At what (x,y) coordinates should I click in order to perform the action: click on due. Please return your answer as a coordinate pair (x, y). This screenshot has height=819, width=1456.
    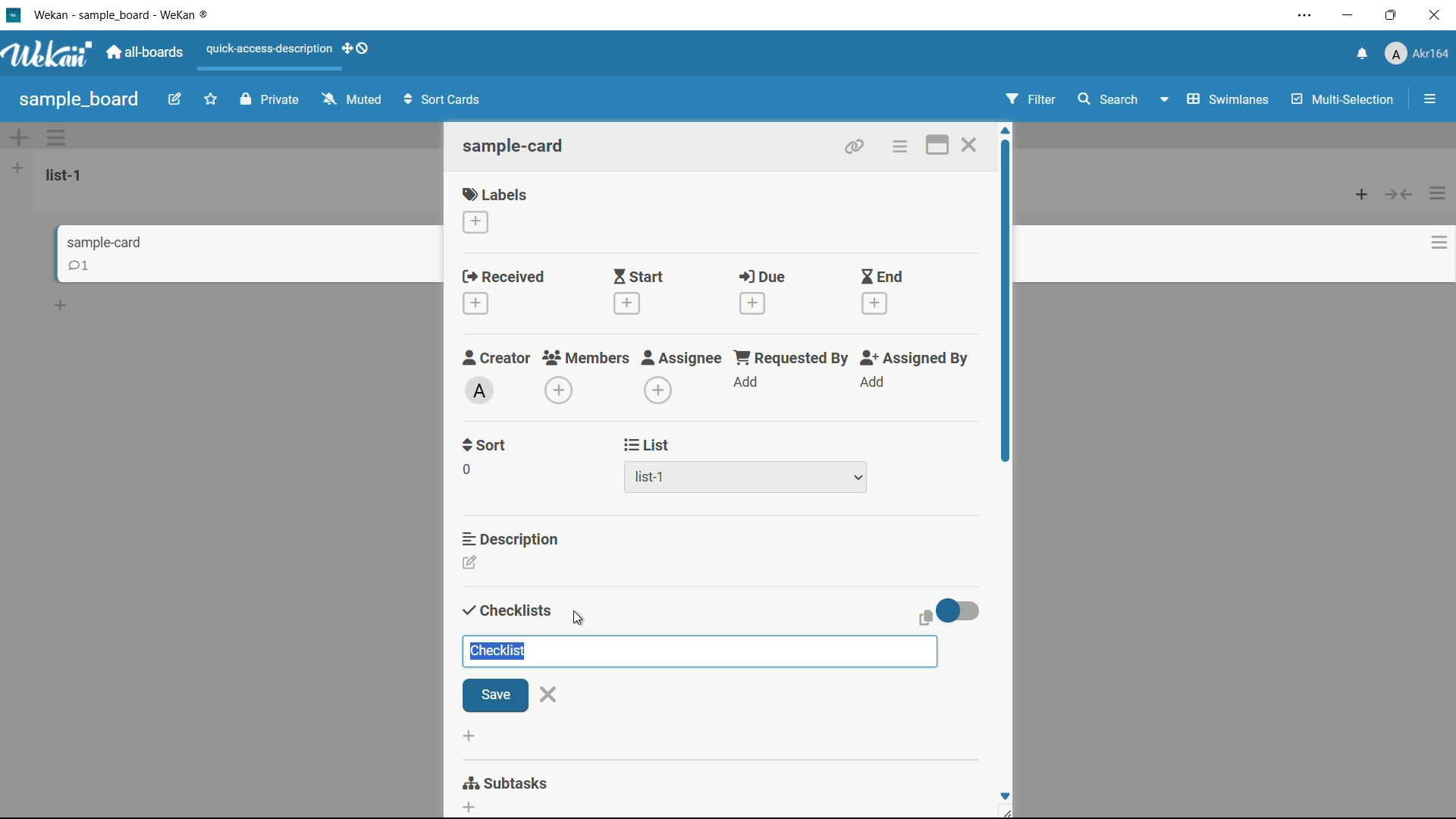
    Looking at the image, I should click on (762, 278).